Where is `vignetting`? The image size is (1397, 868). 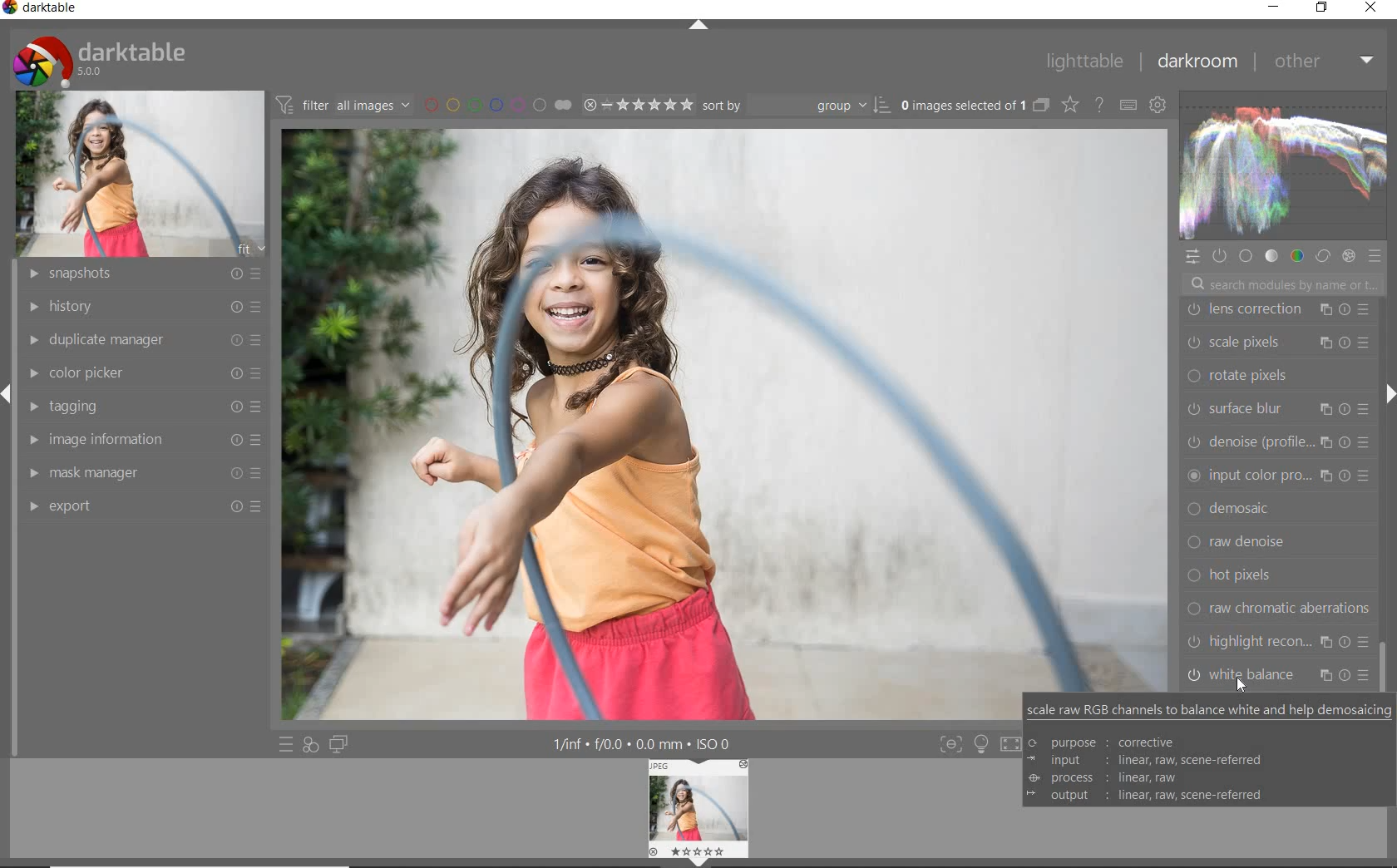
vignetting is located at coordinates (1276, 479).